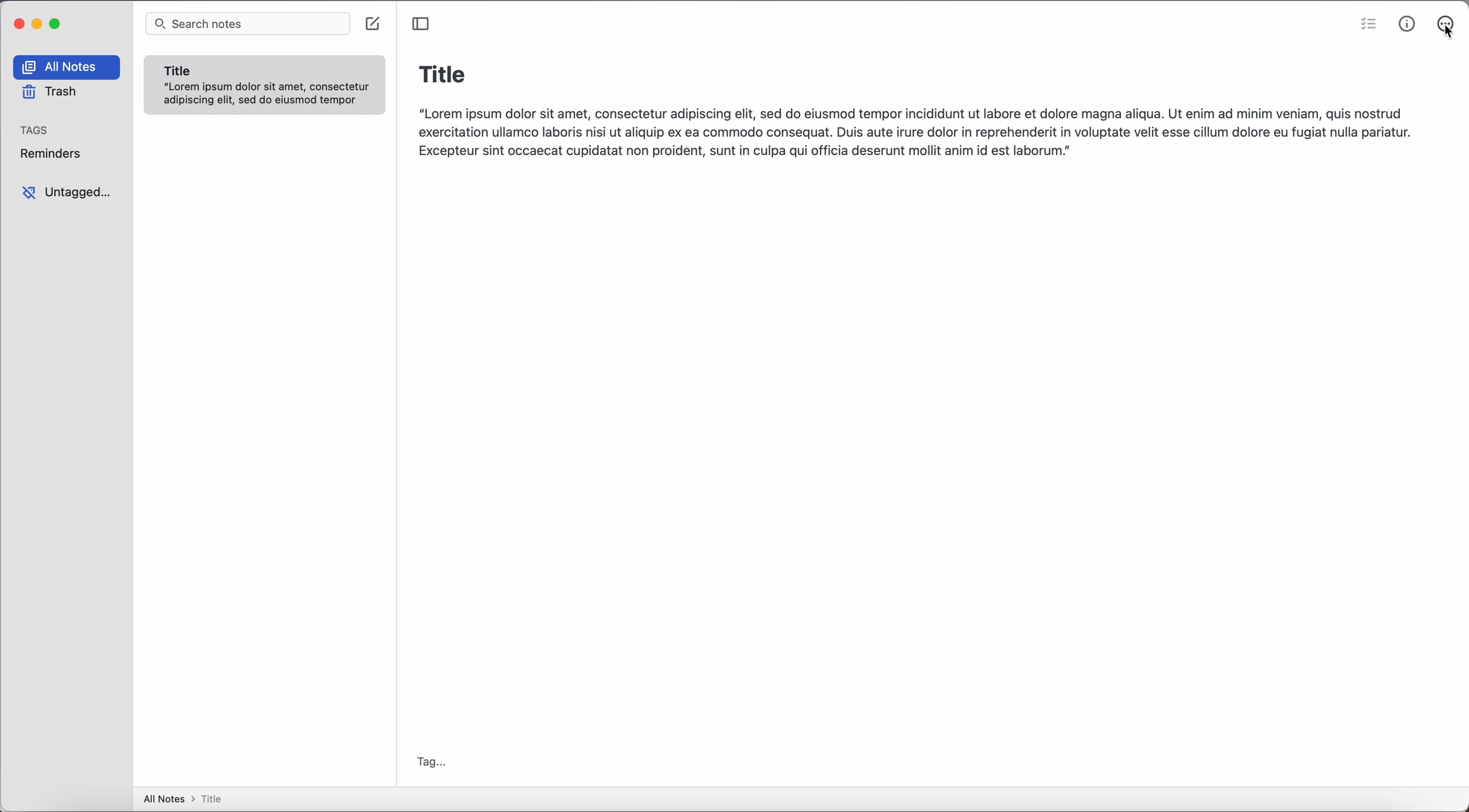 The image size is (1469, 812). I want to click on create note, so click(375, 25).